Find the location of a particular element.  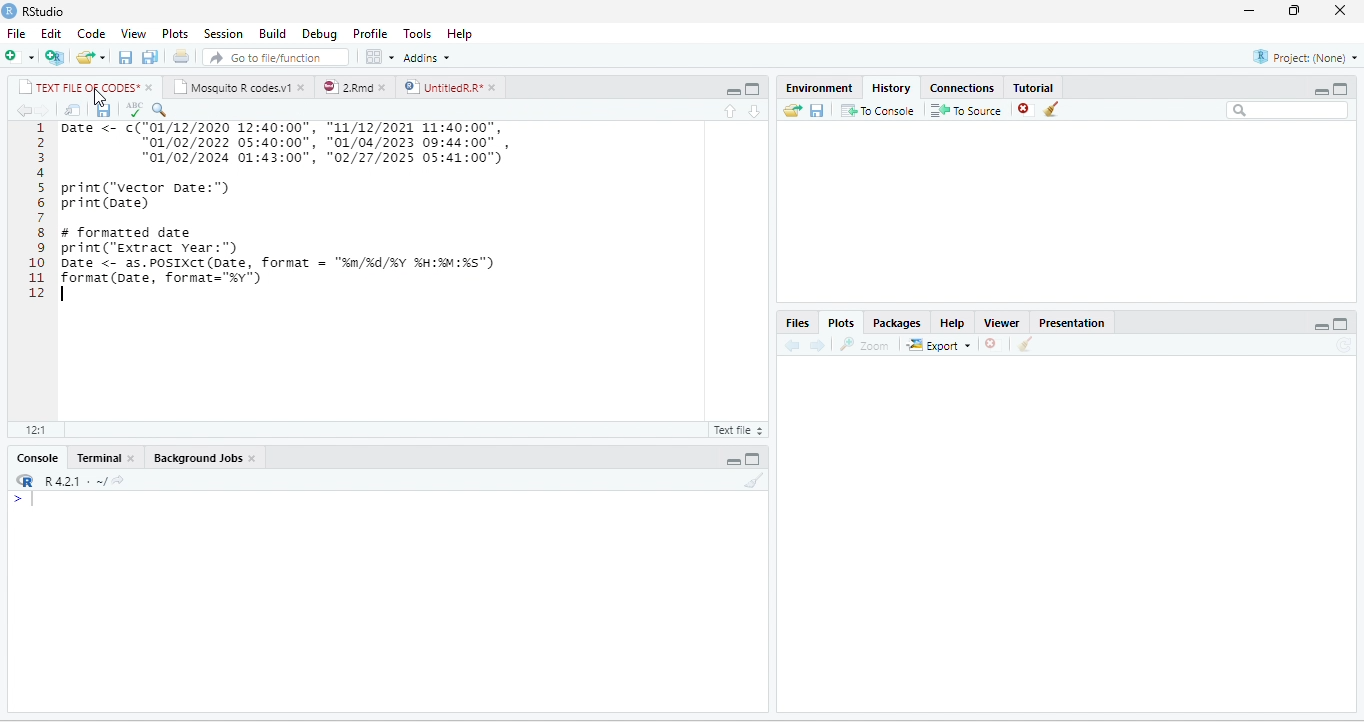

To source is located at coordinates (964, 109).